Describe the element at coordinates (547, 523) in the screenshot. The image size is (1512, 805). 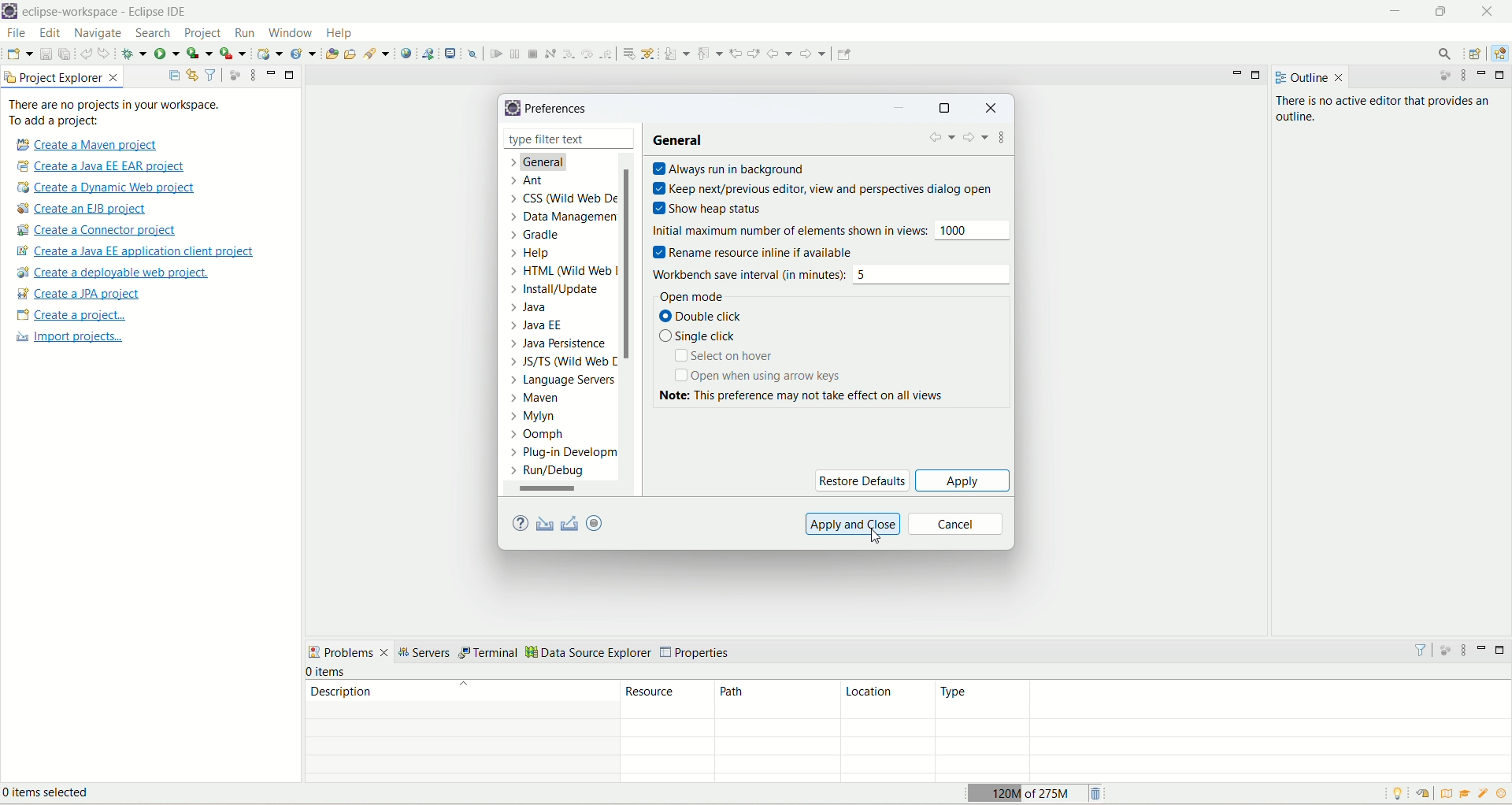
I see `import` at that location.